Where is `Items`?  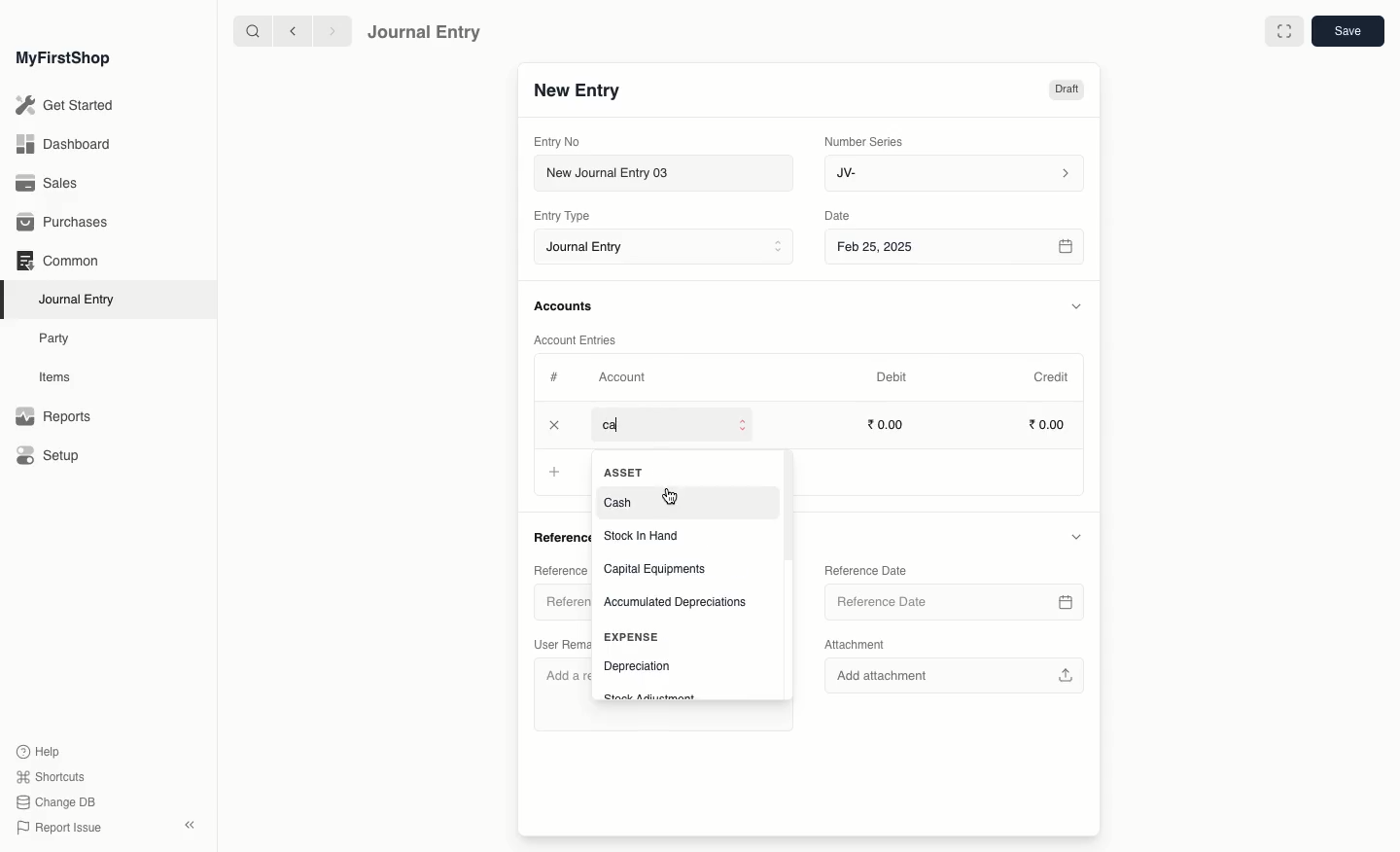 Items is located at coordinates (60, 377).